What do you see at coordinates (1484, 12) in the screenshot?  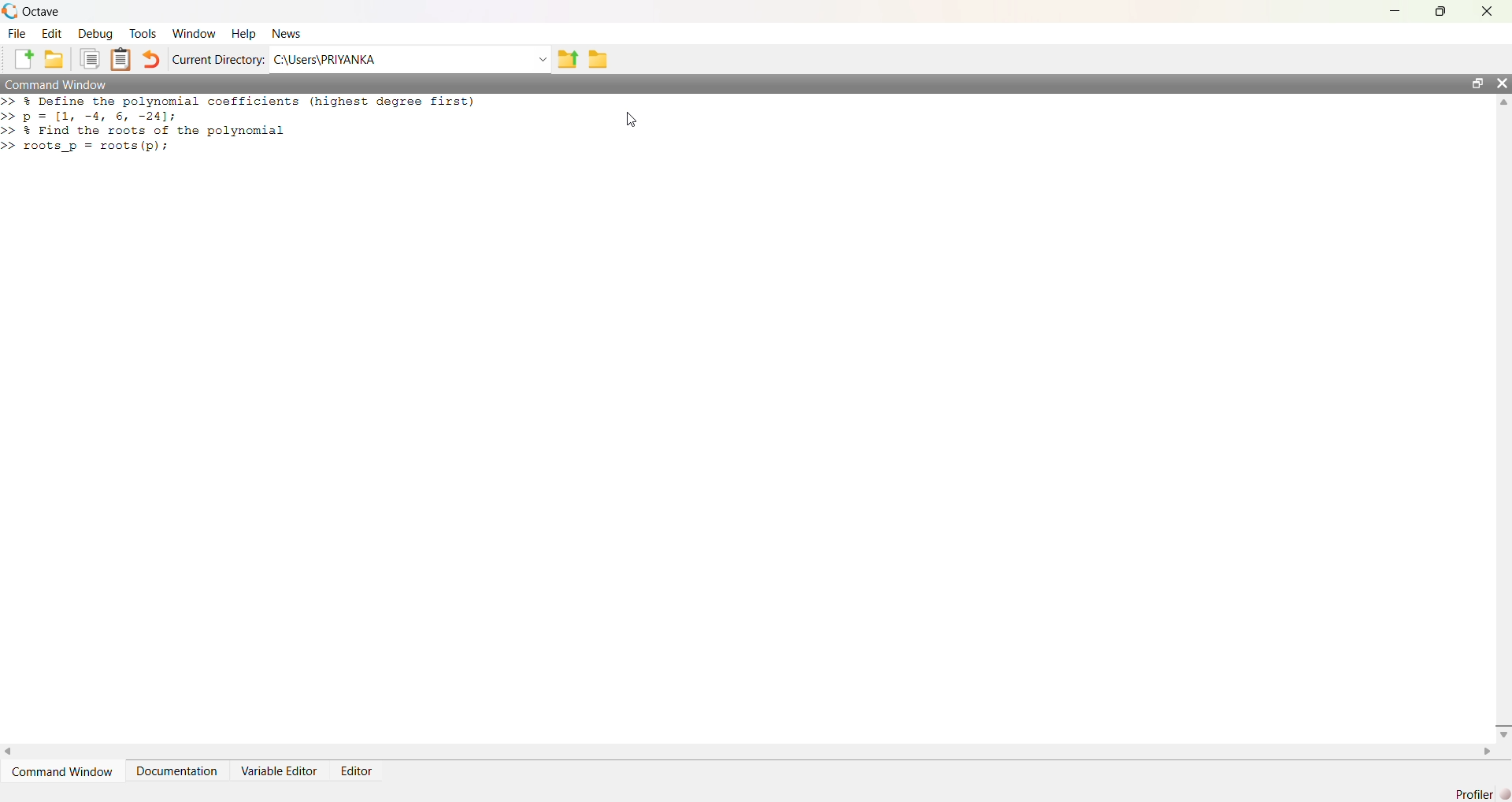 I see `Close` at bounding box center [1484, 12].